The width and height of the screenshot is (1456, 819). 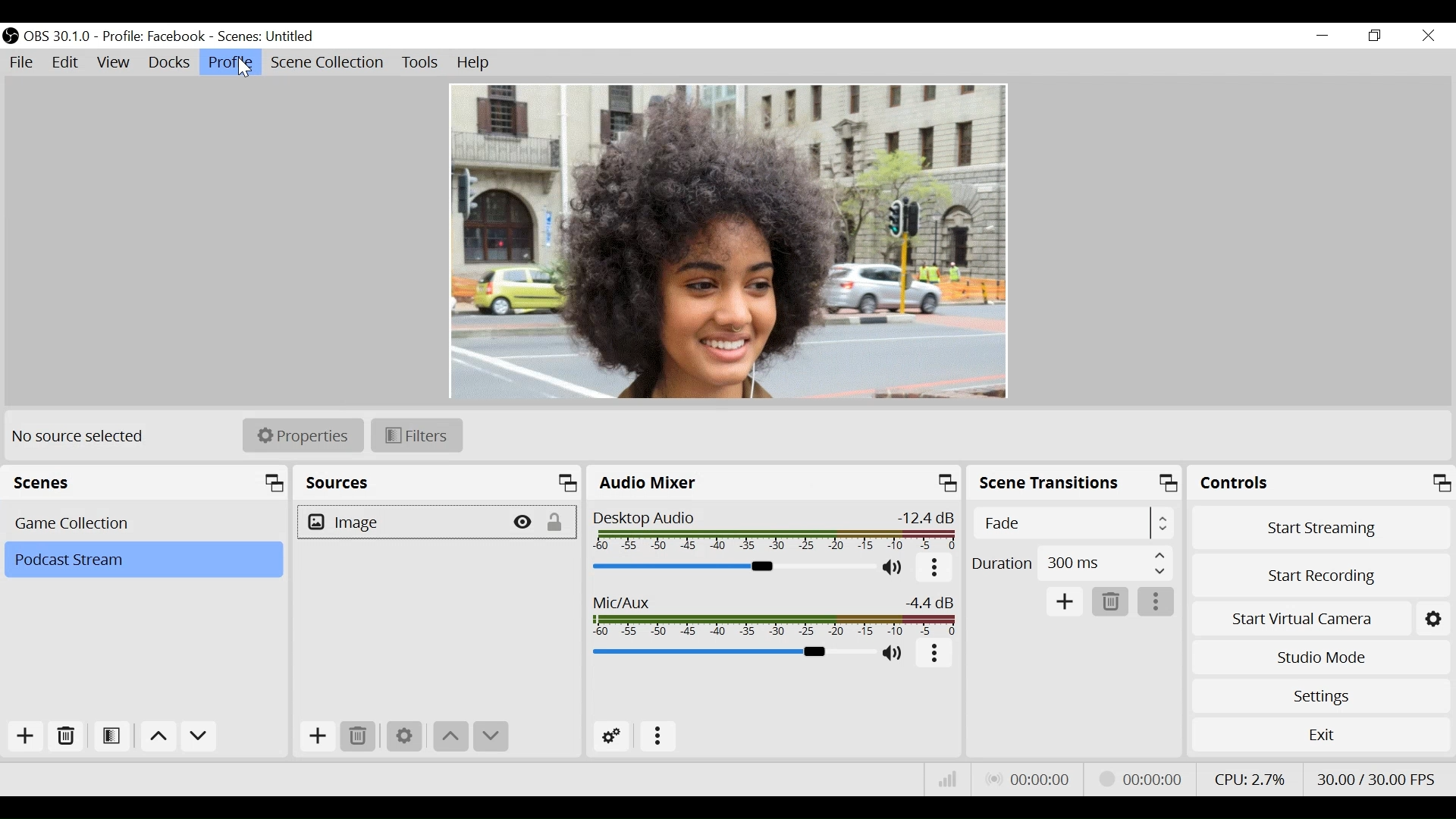 I want to click on Settings, so click(x=1323, y=697).